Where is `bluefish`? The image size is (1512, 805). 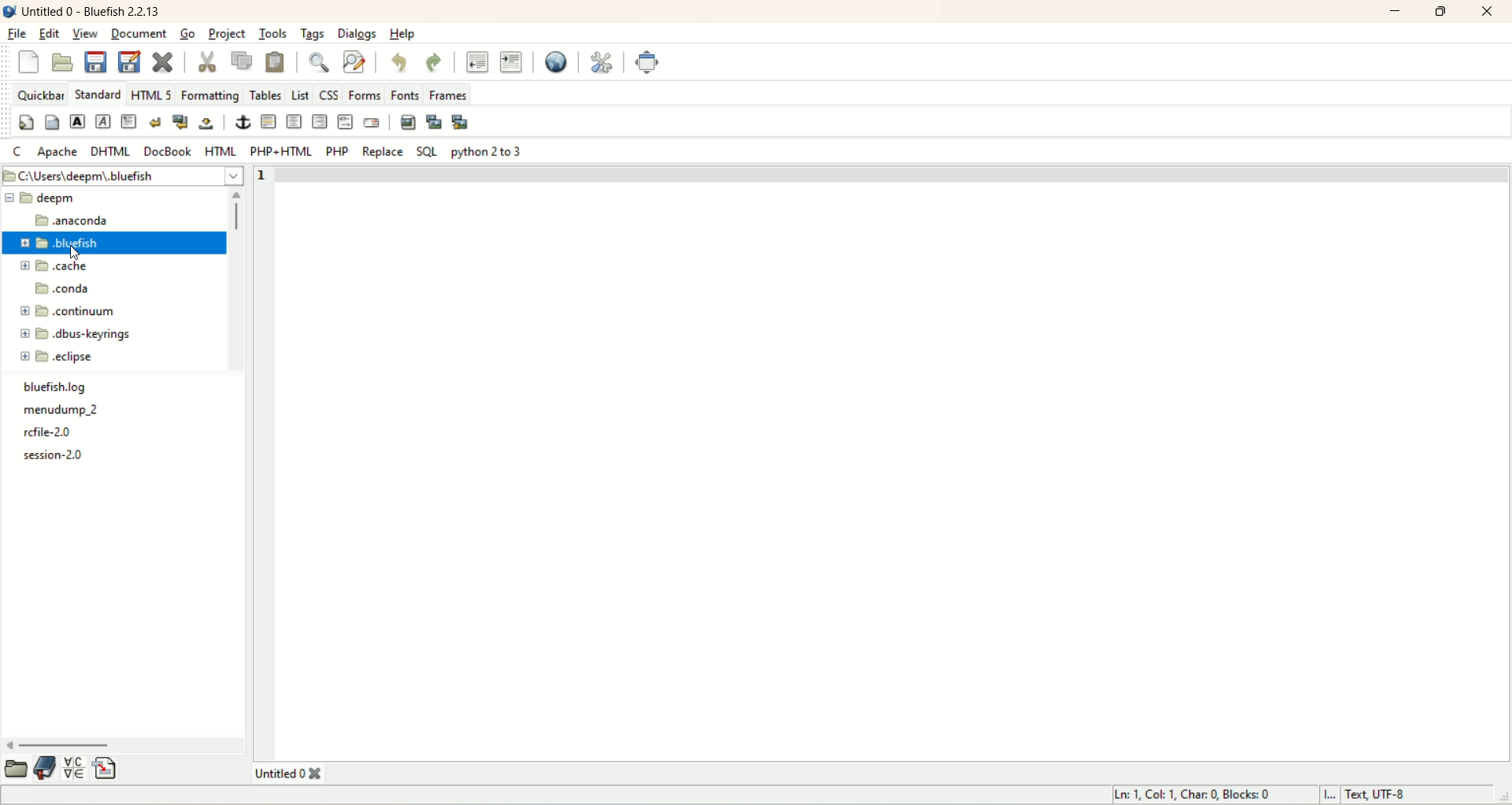
bluefish is located at coordinates (65, 243).